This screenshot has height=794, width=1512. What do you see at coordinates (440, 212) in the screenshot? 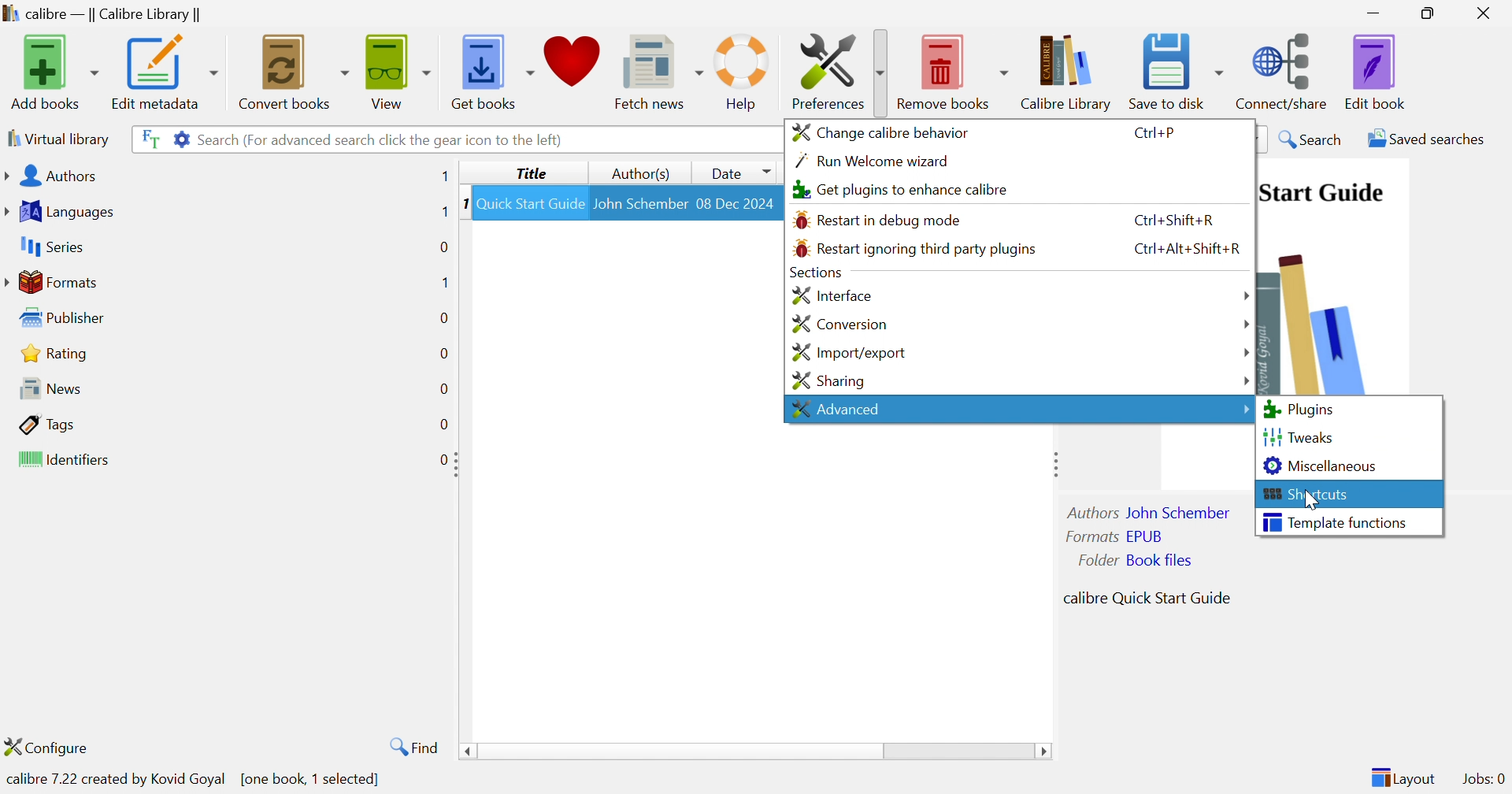
I see `1` at bounding box center [440, 212].